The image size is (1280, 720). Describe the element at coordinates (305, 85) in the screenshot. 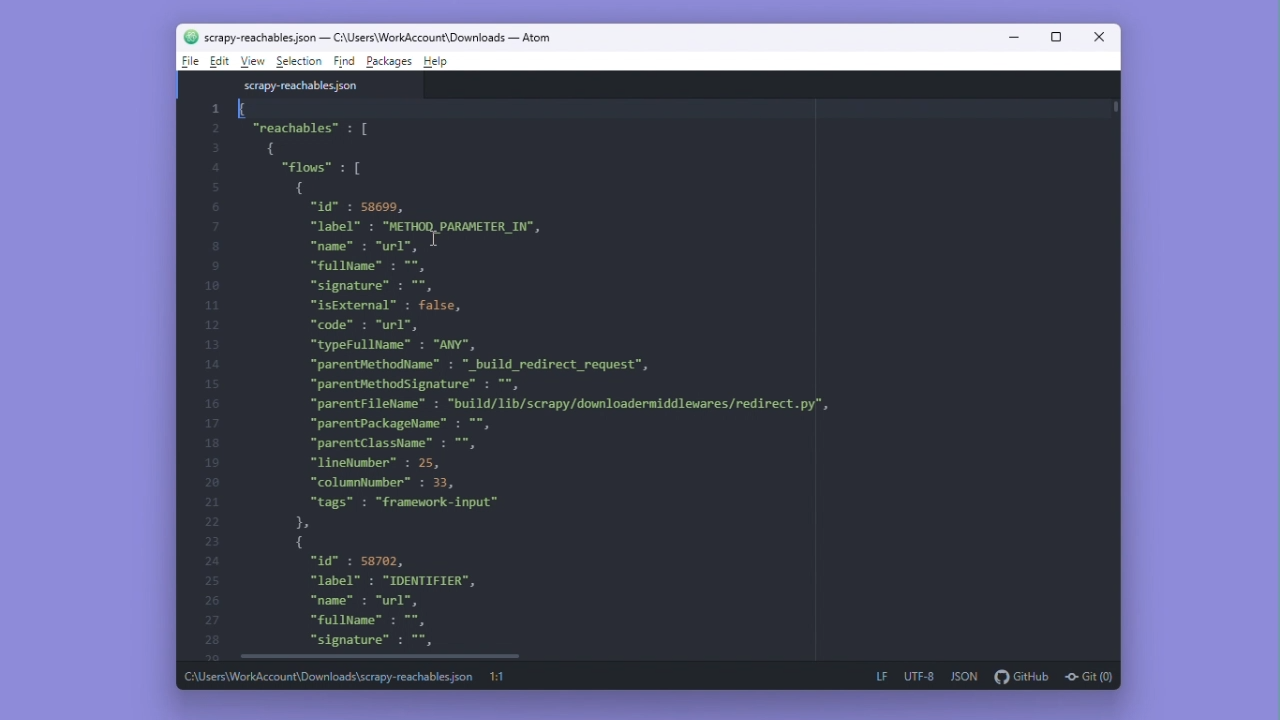

I see `scrappy-reachables.json` at that location.